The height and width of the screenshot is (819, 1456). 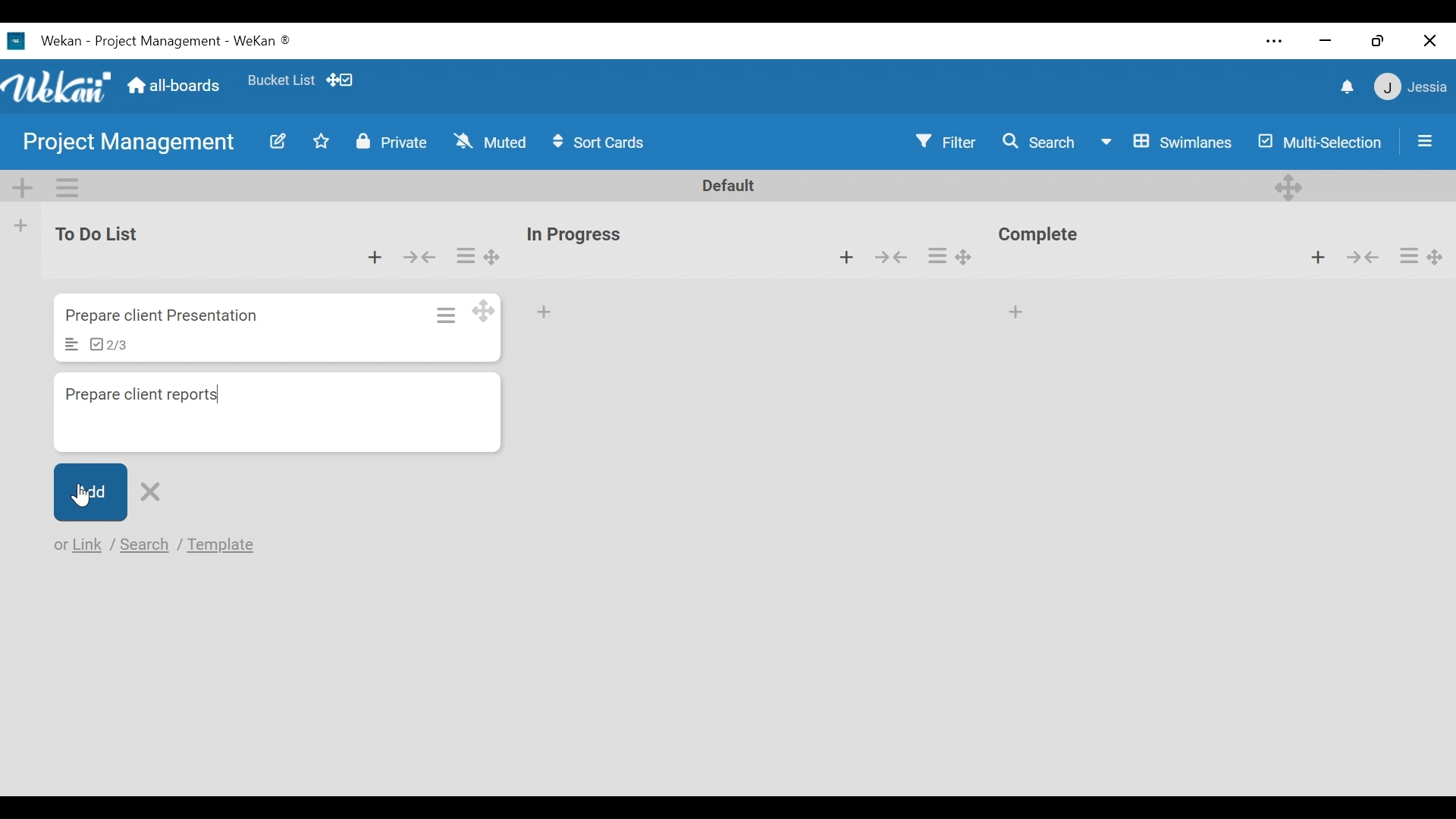 What do you see at coordinates (278, 414) in the screenshot?
I see `Prepare client reports` at bounding box center [278, 414].